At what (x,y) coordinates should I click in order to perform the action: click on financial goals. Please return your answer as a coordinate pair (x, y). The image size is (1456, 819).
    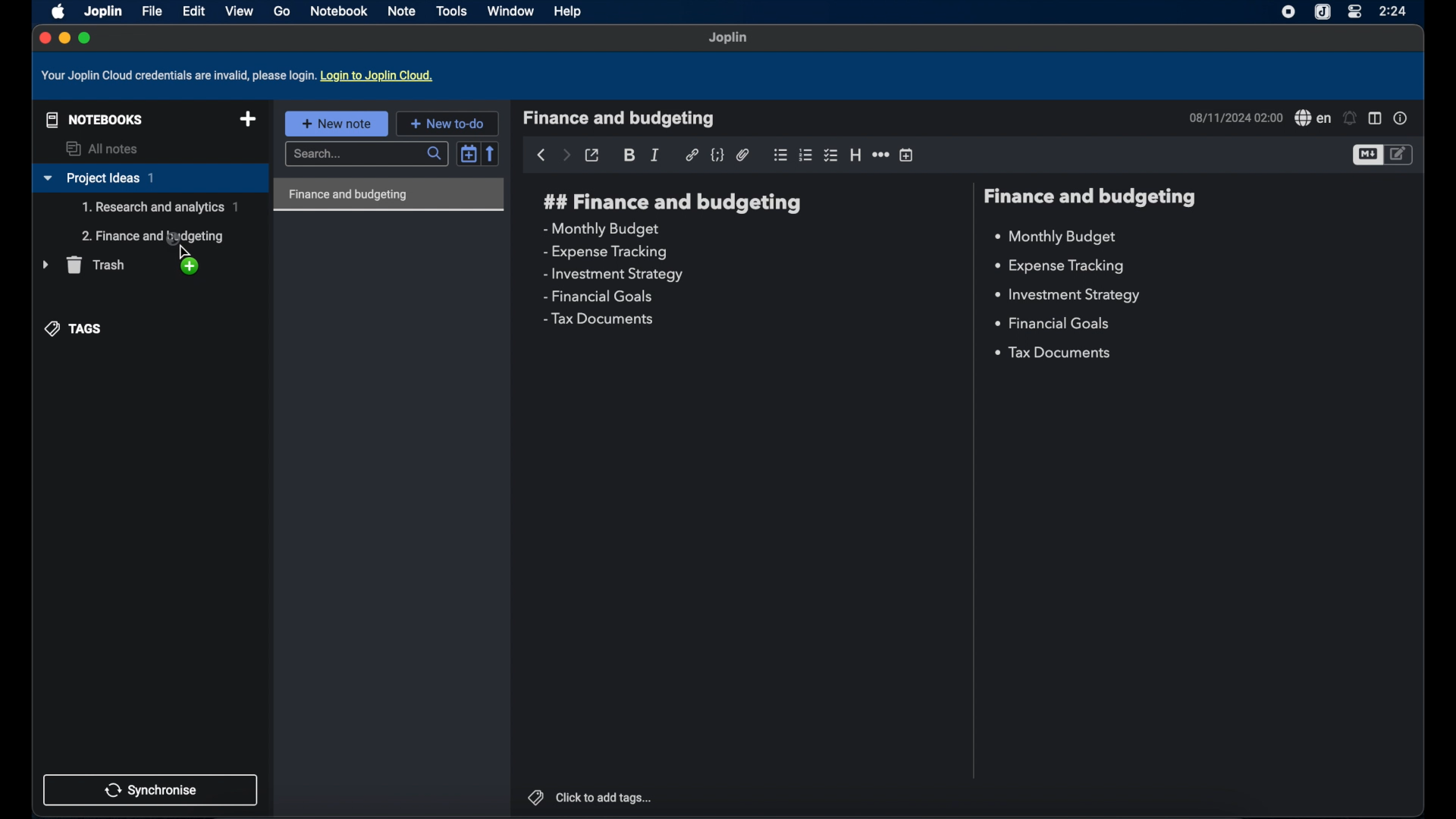
    Looking at the image, I should click on (598, 297).